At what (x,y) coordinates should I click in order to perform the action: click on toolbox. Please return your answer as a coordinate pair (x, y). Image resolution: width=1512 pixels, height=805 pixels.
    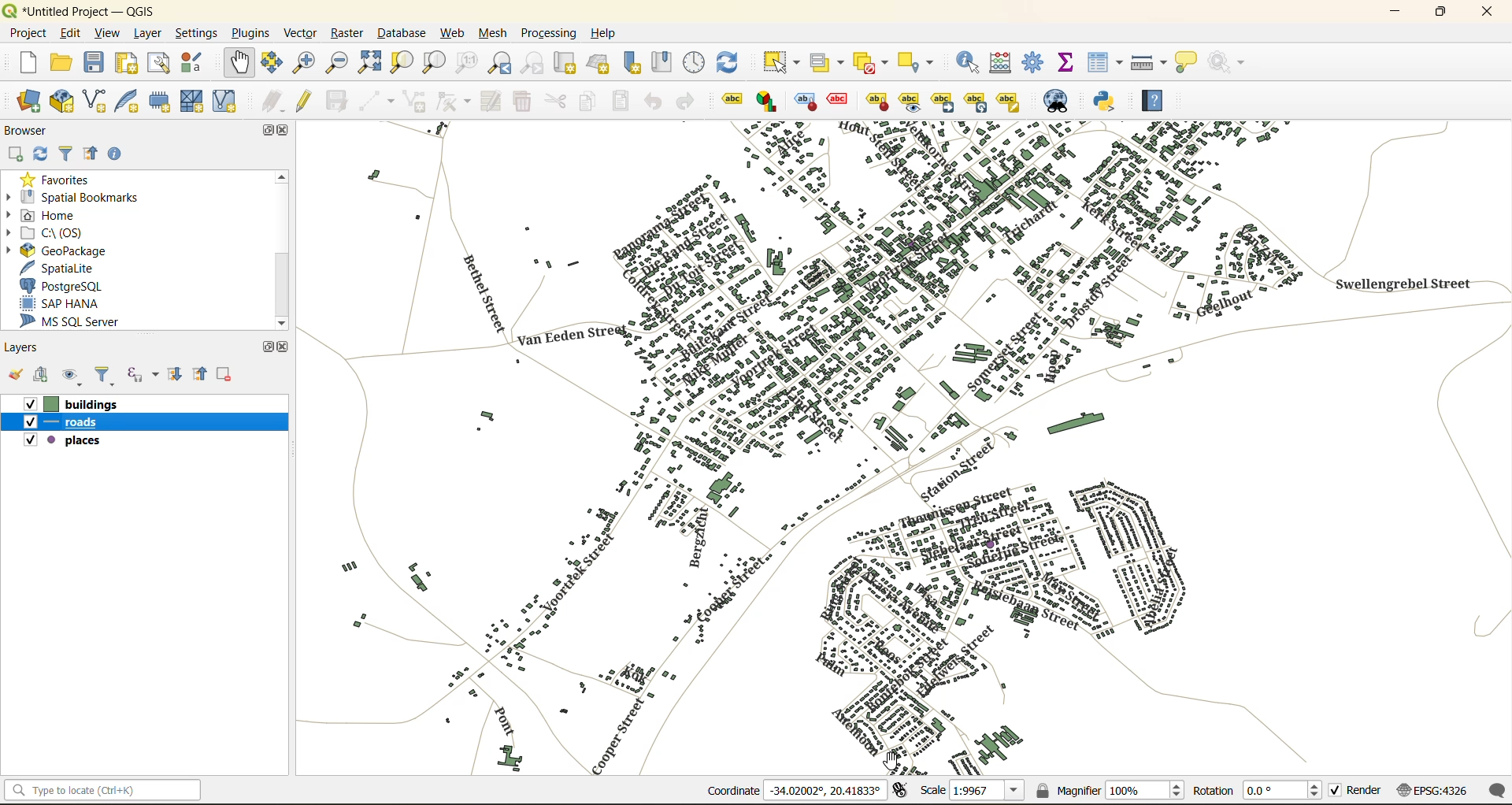
    Looking at the image, I should click on (1033, 64).